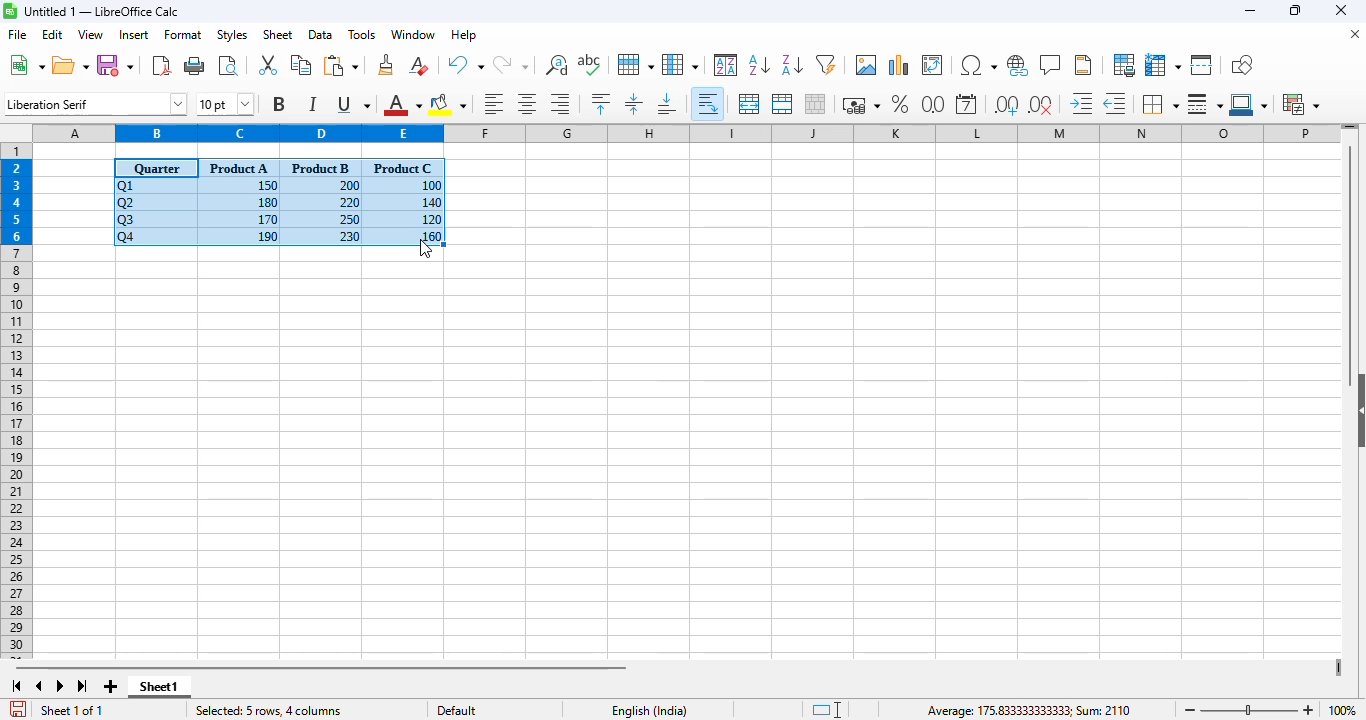 The height and width of the screenshot is (720, 1366). Describe the element at coordinates (1041, 104) in the screenshot. I see `delete decimal` at that location.